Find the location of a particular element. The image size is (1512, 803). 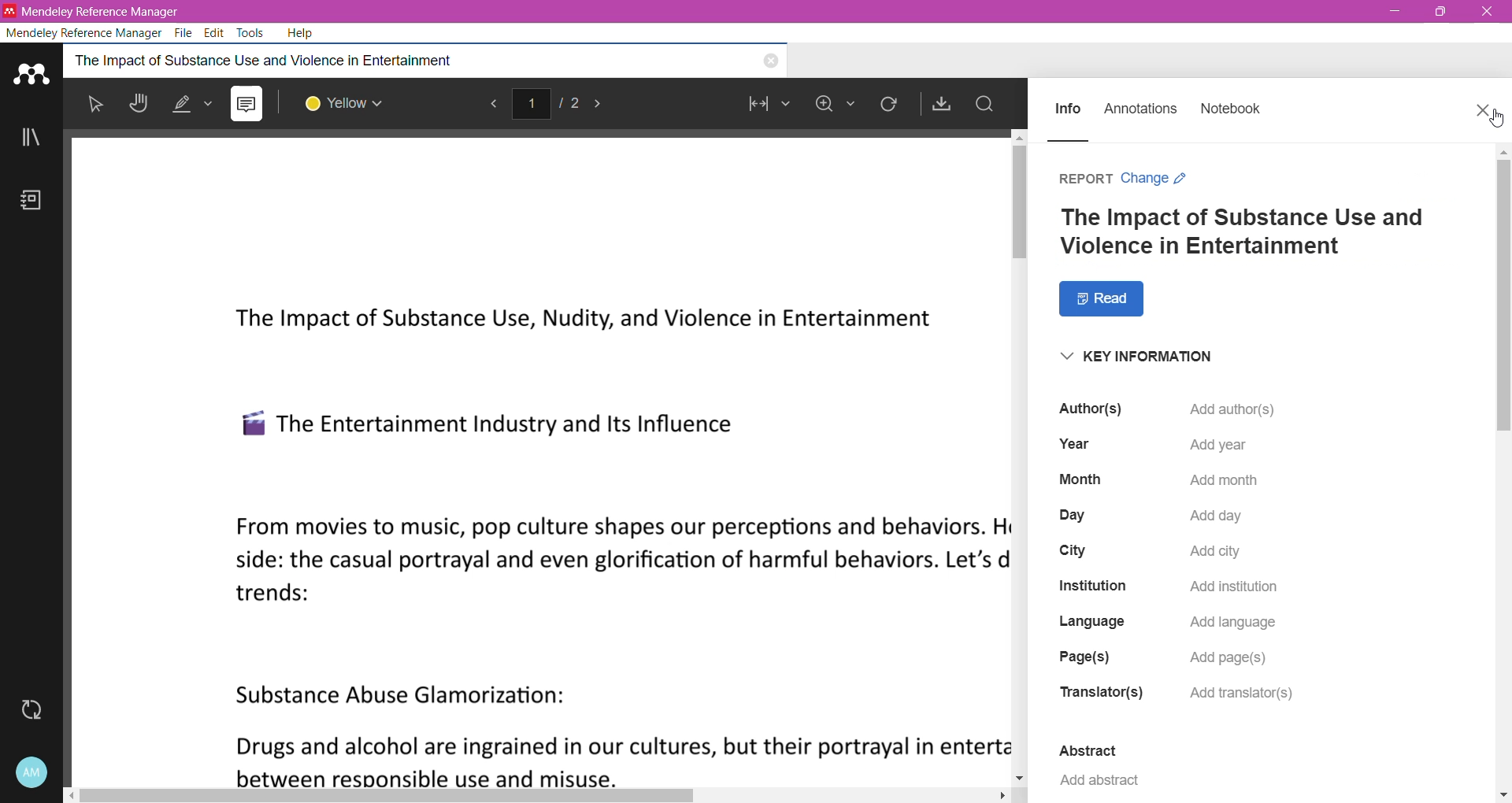

City is located at coordinates (1076, 550).